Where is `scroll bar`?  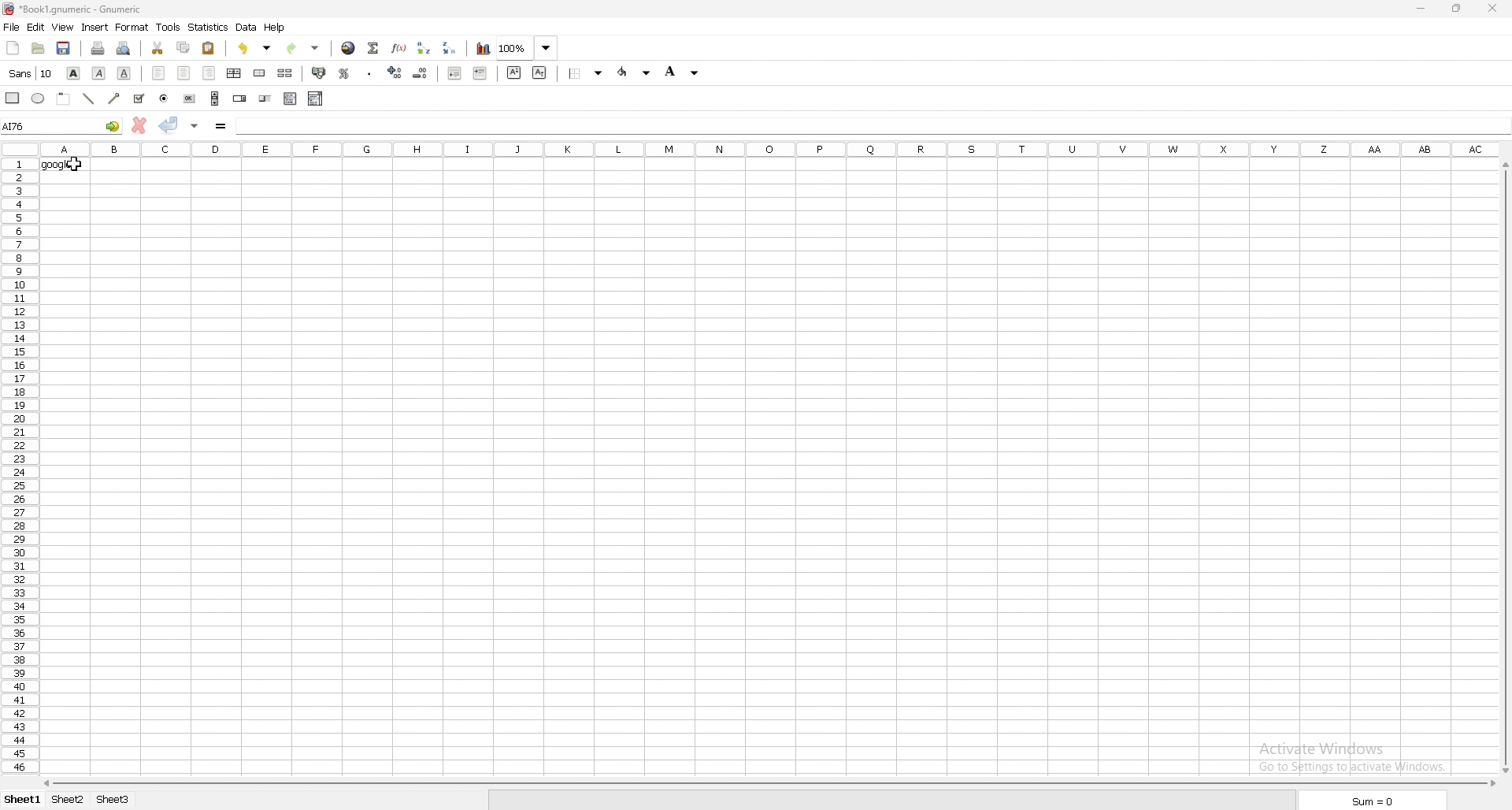 scroll bar is located at coordinates (215, 98).